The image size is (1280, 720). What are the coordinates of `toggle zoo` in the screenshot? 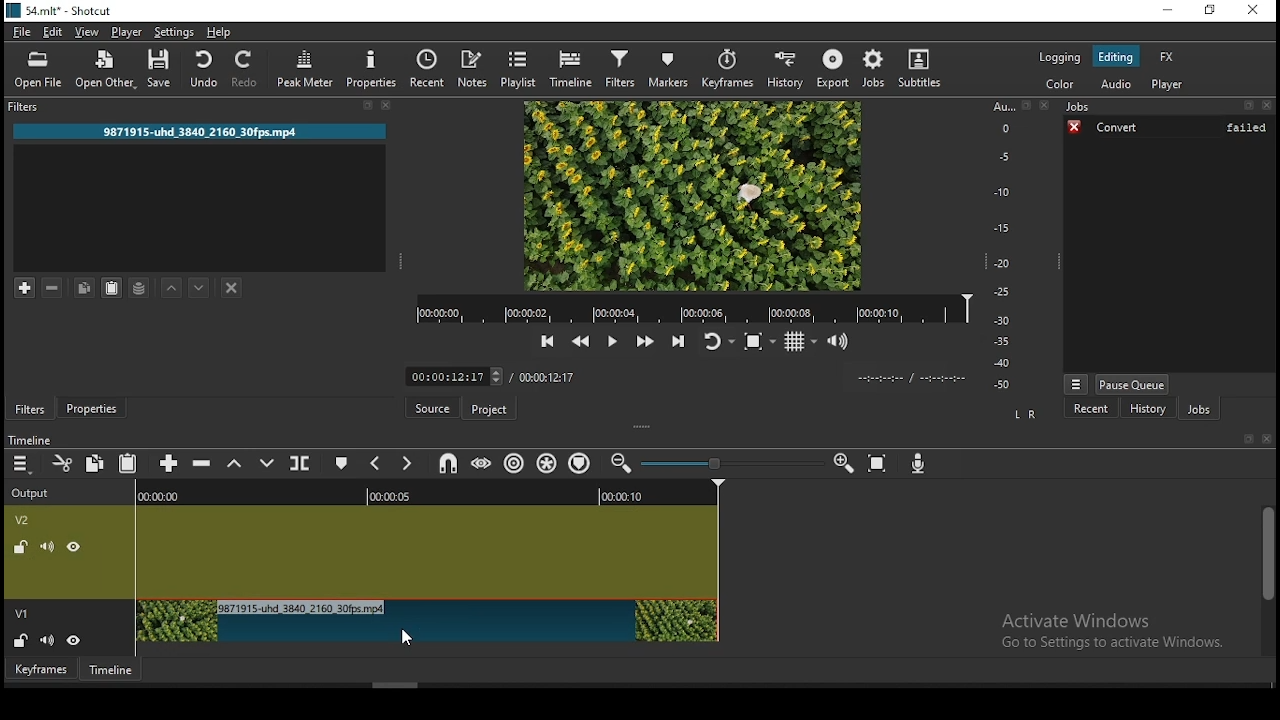 It's located at (757, 342).